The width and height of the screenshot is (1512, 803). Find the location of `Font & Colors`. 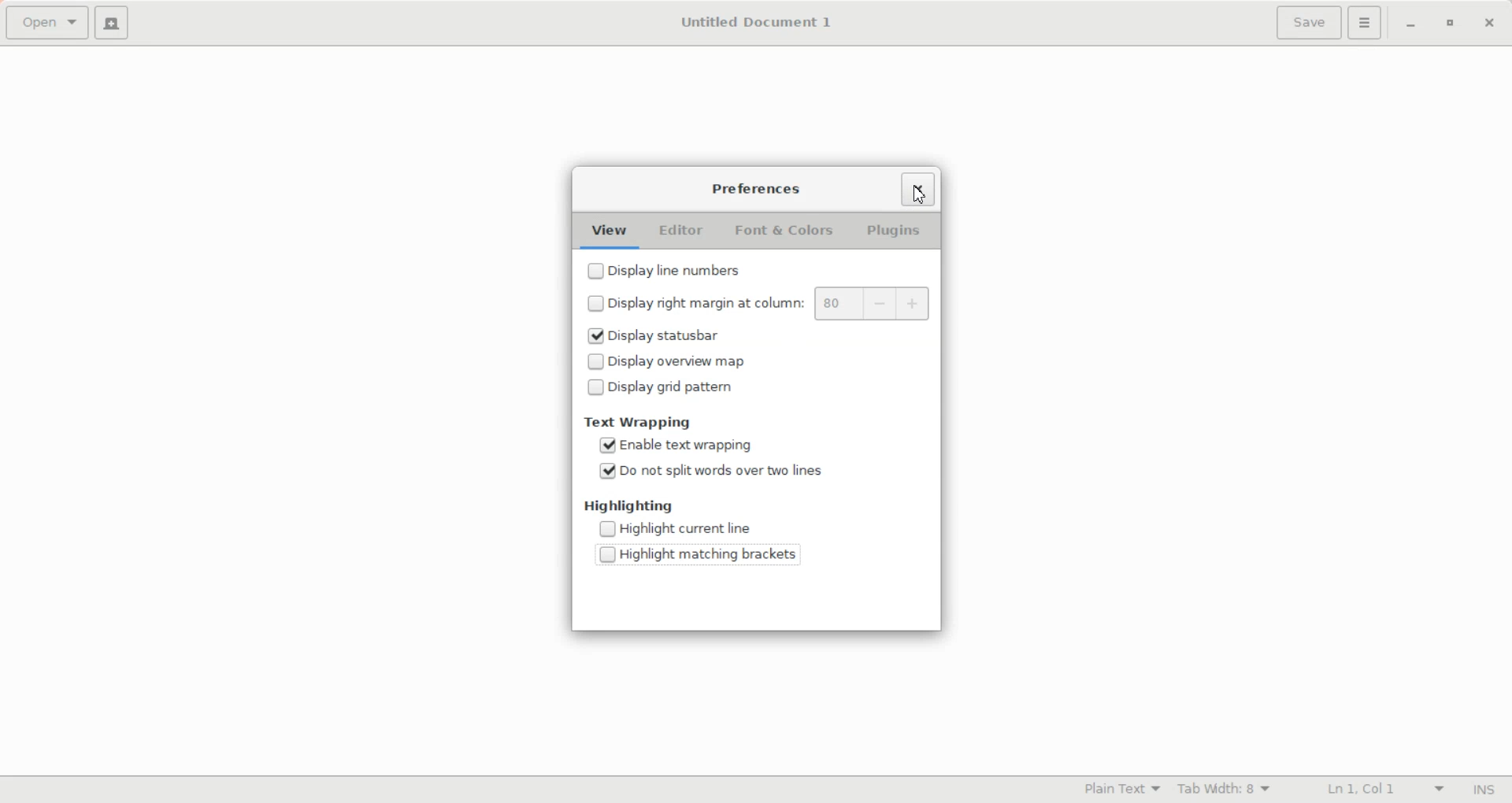

Font & Colors is located at coordinates (787, 231).